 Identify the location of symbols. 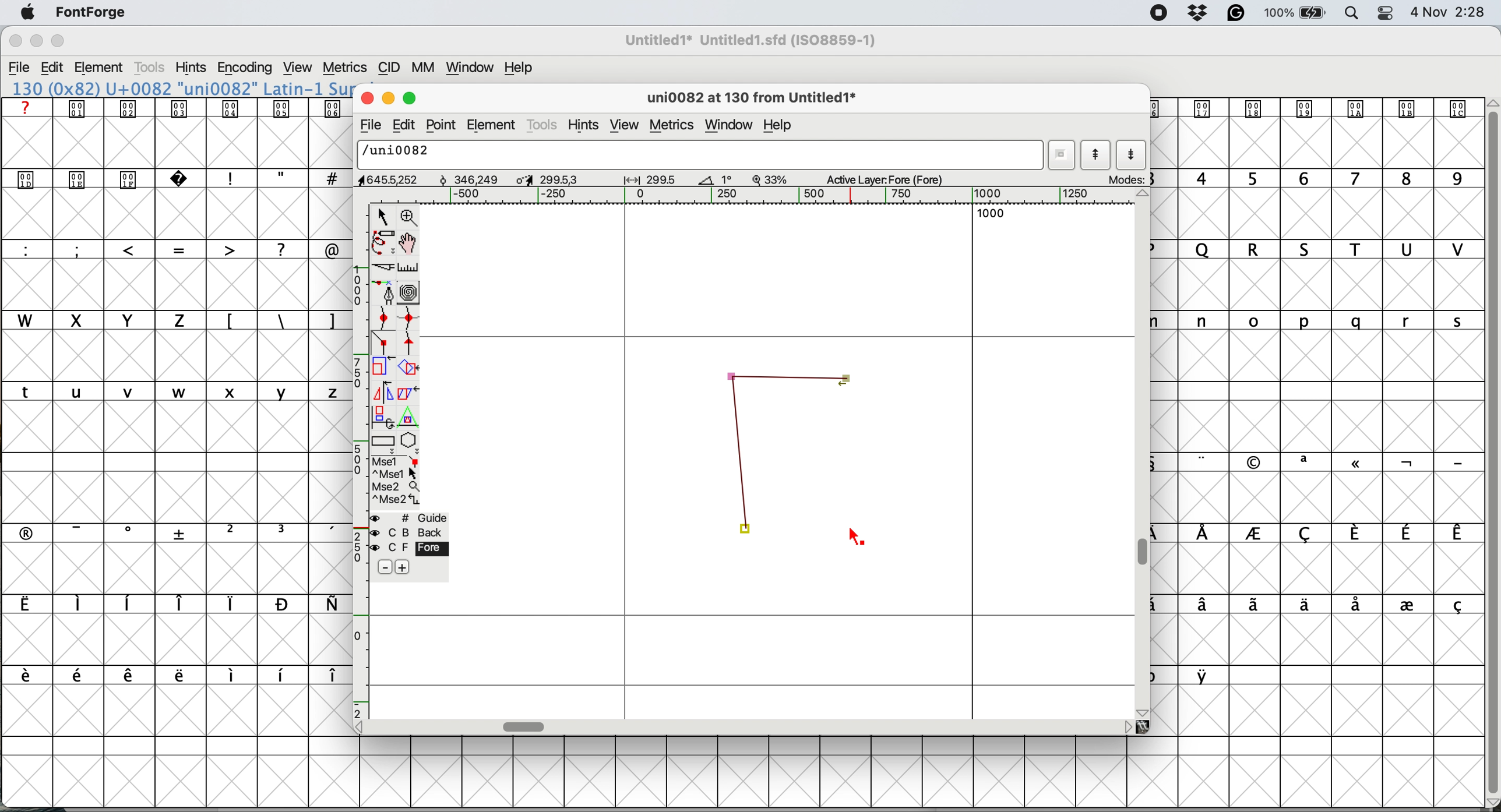
(181, 676).